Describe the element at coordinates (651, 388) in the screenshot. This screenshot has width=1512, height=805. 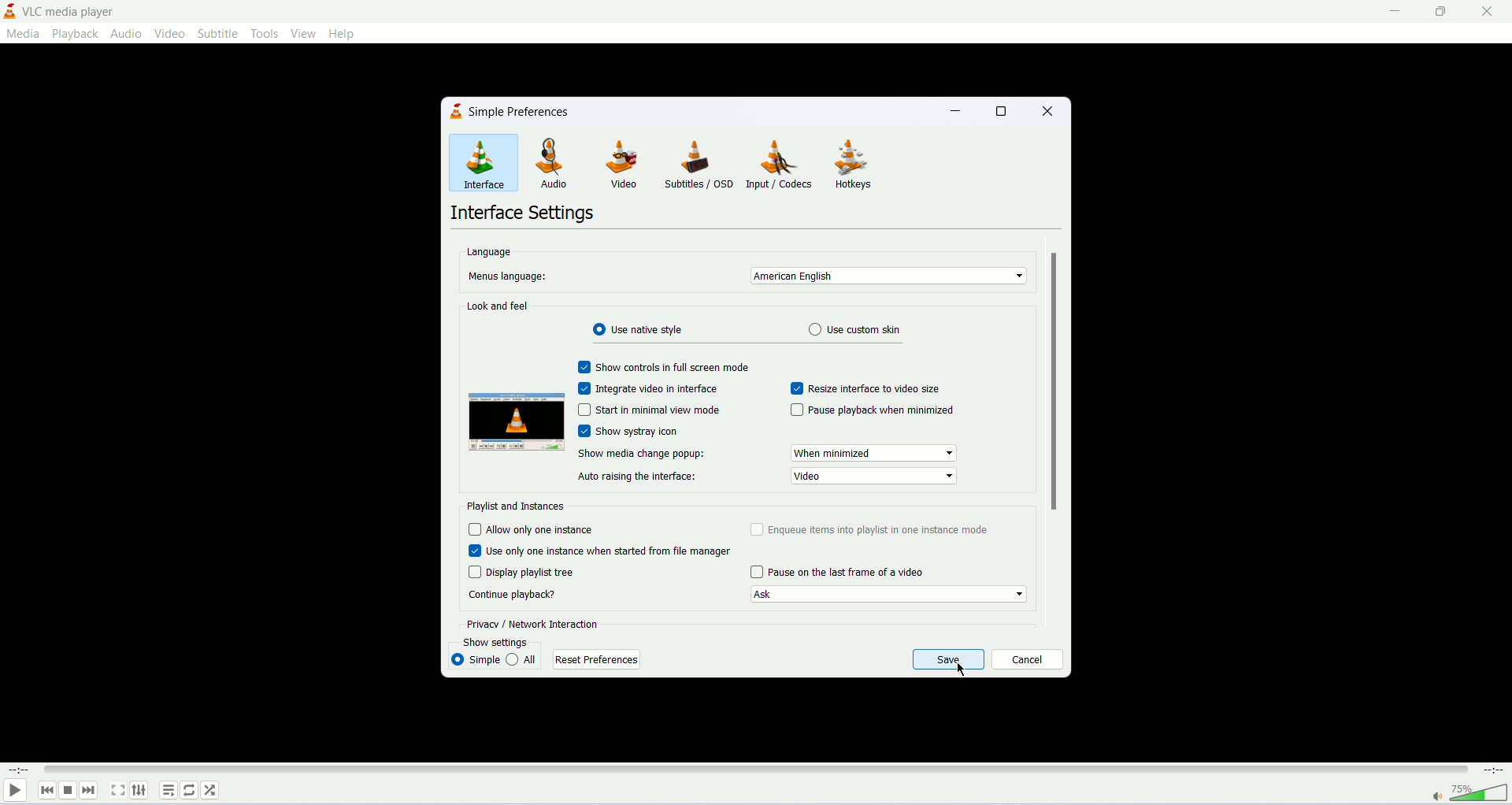
I see `integrate video` at that location.